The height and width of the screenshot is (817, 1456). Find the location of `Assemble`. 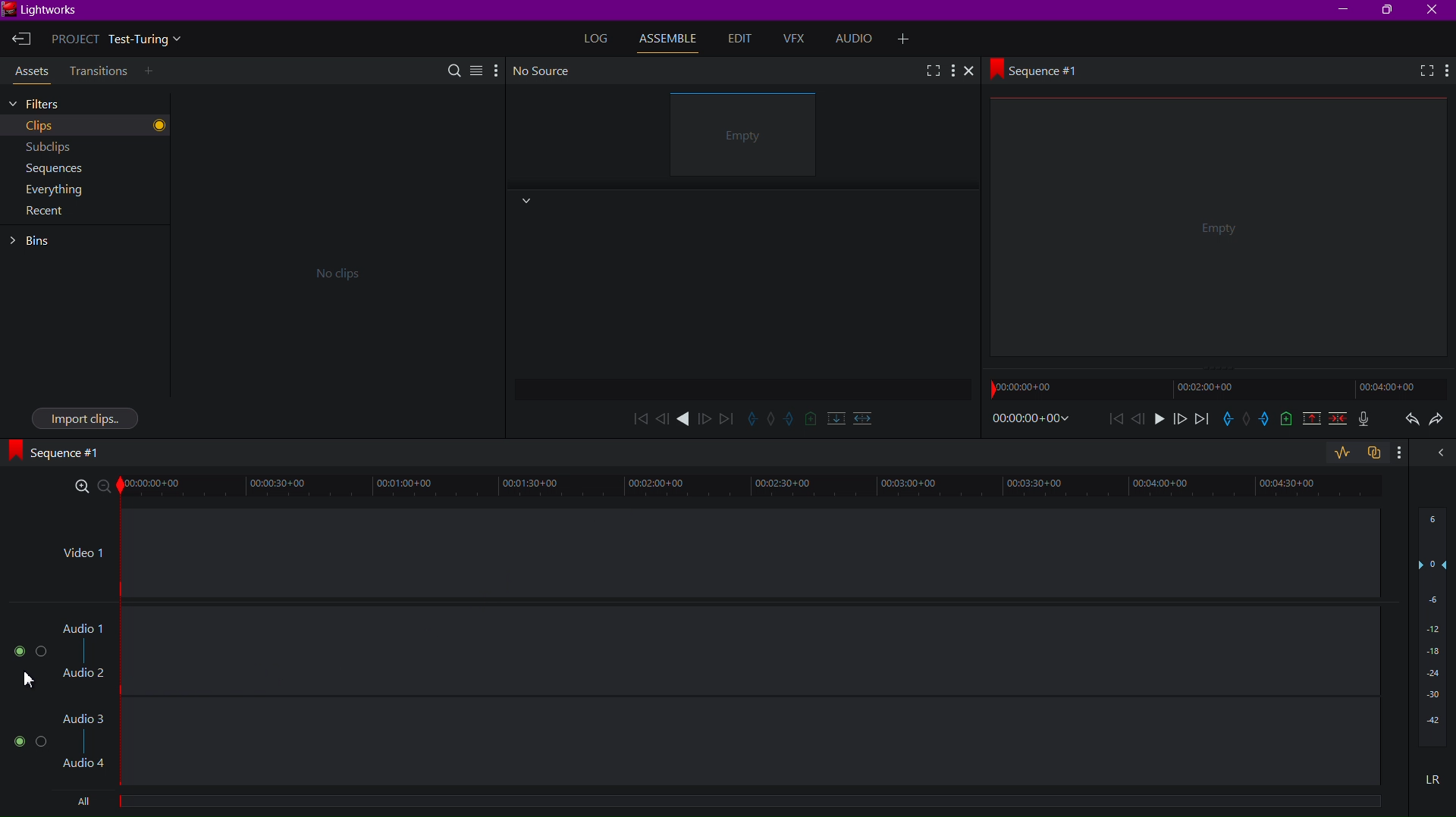

Assemble is located at coordinates (672, 39).